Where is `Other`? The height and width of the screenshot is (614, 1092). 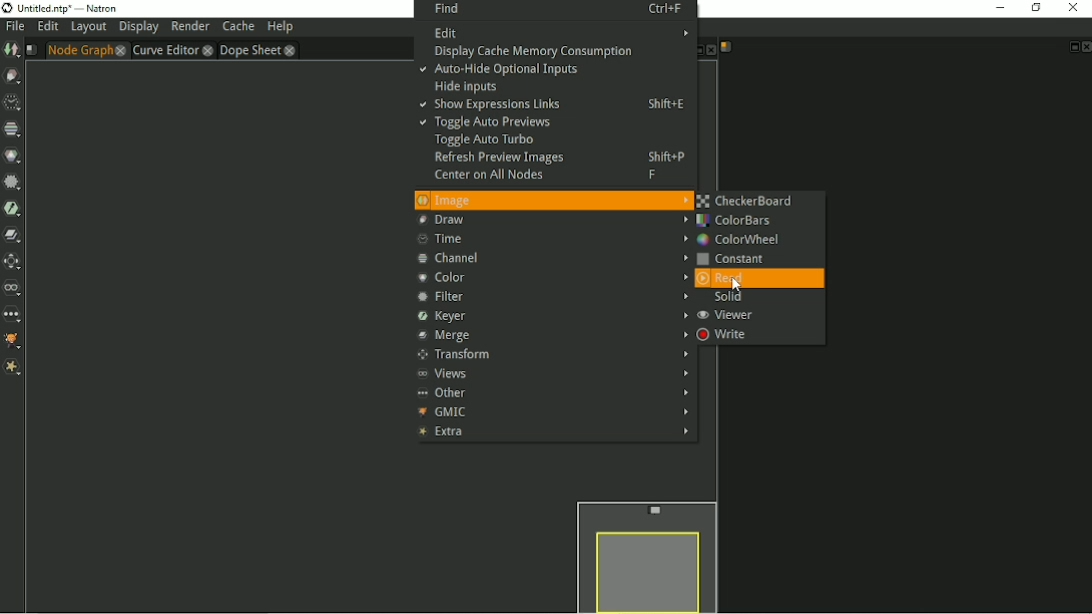 Other is located at coordinates (554, 392).